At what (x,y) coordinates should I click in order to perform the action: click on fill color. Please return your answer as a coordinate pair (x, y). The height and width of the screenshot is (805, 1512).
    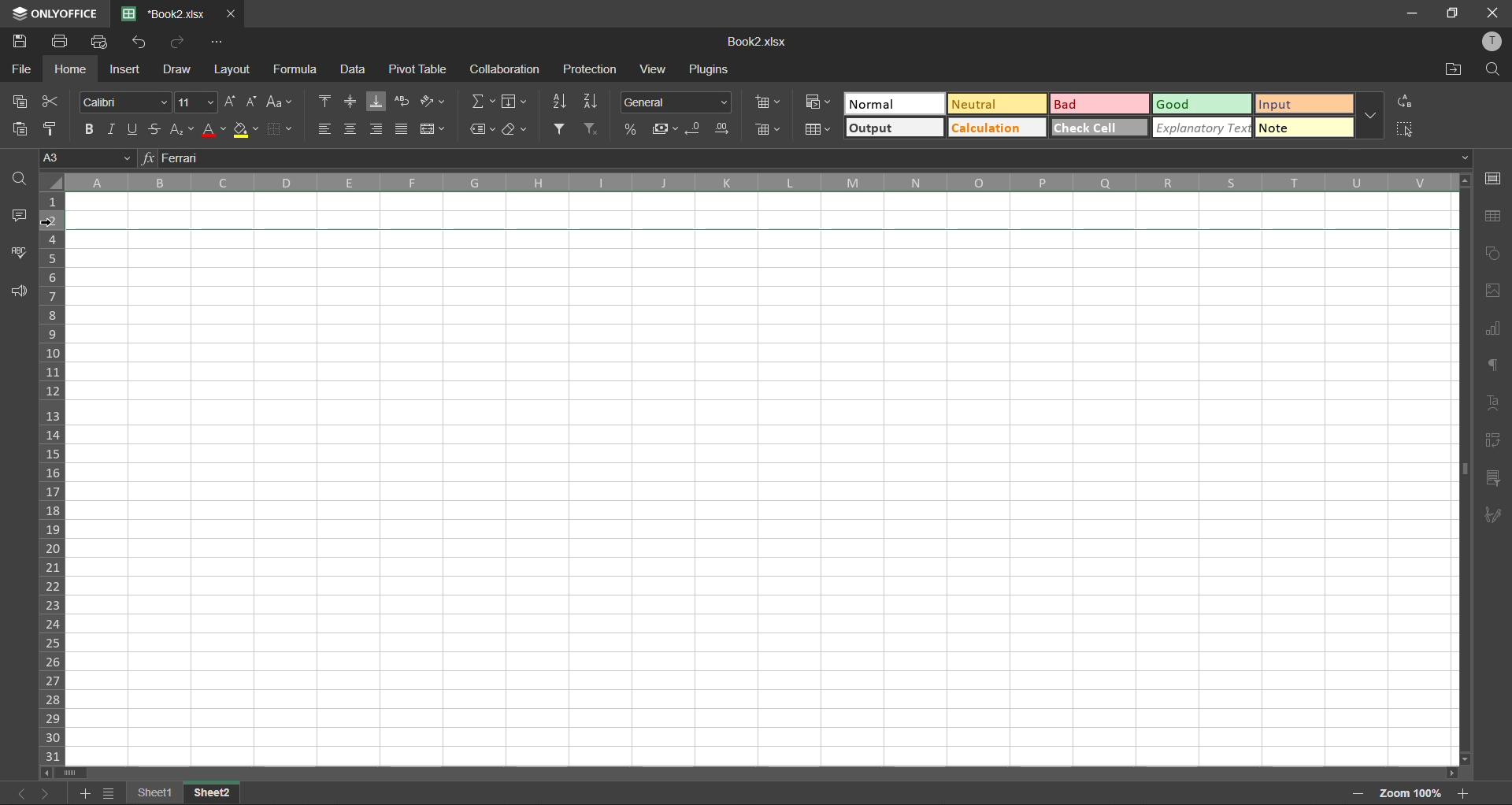
    Looking at the image, I should click on (245, 132).